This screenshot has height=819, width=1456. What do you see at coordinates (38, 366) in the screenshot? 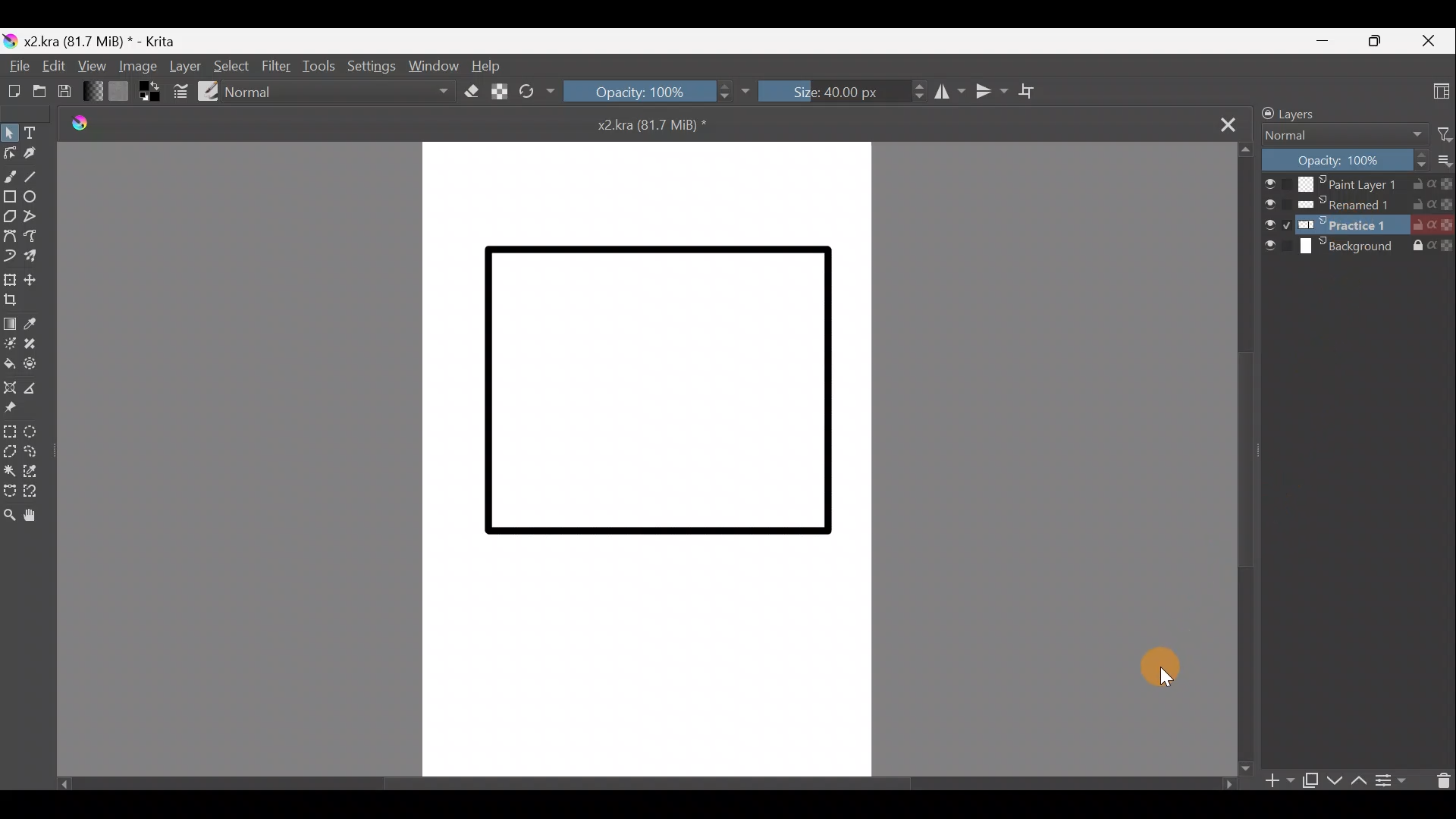
I see `Enclose & fill tool` at bounding box center [38, 366].